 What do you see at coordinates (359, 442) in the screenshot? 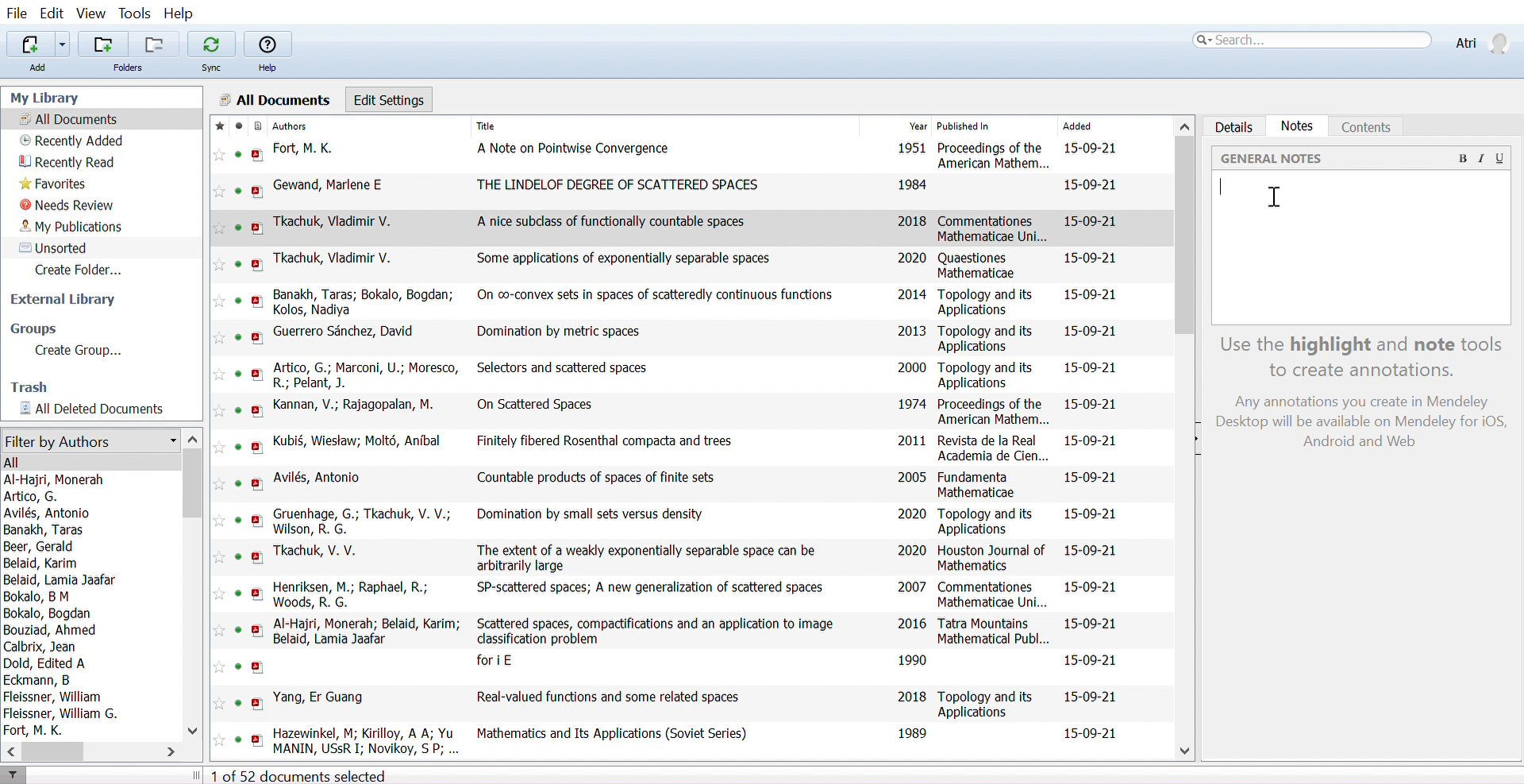
I see `Kubi§, Wiestaw; Molt6, Anibal` at bounding box center [359, 442].